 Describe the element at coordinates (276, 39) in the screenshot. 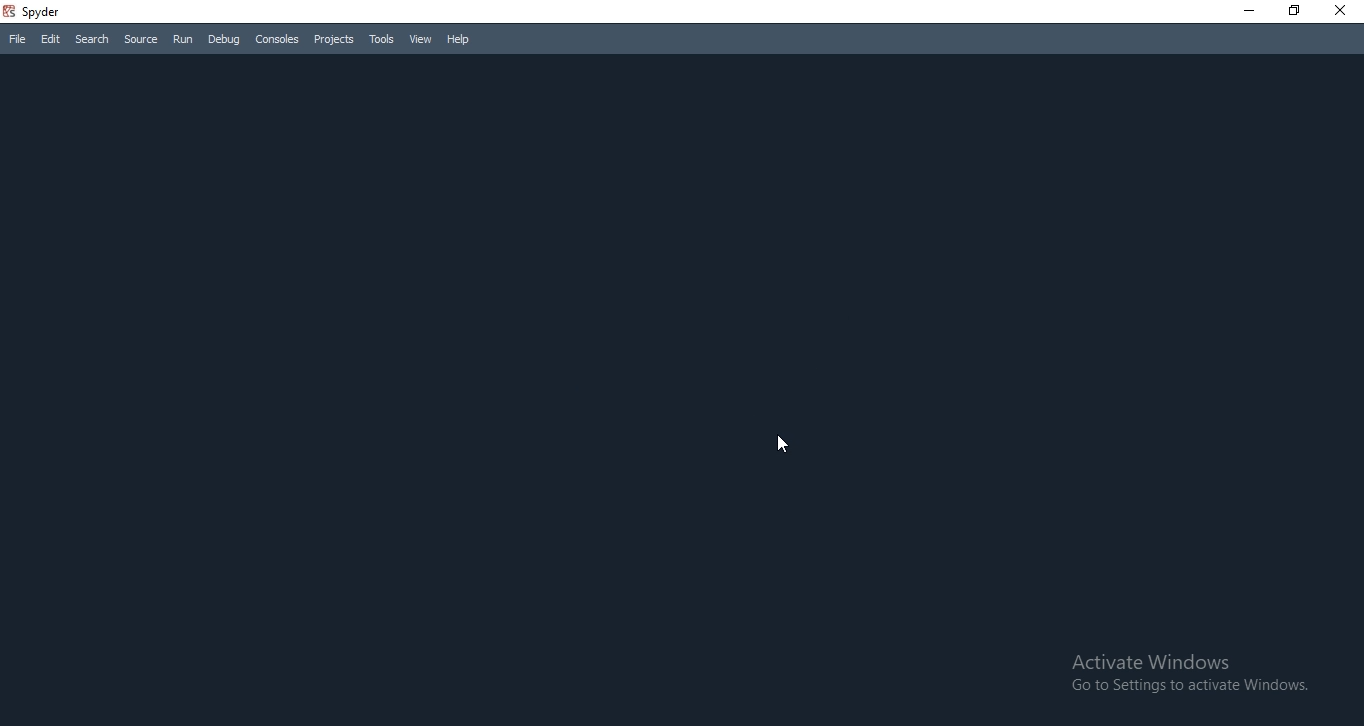

I see `Consoles` at that location.